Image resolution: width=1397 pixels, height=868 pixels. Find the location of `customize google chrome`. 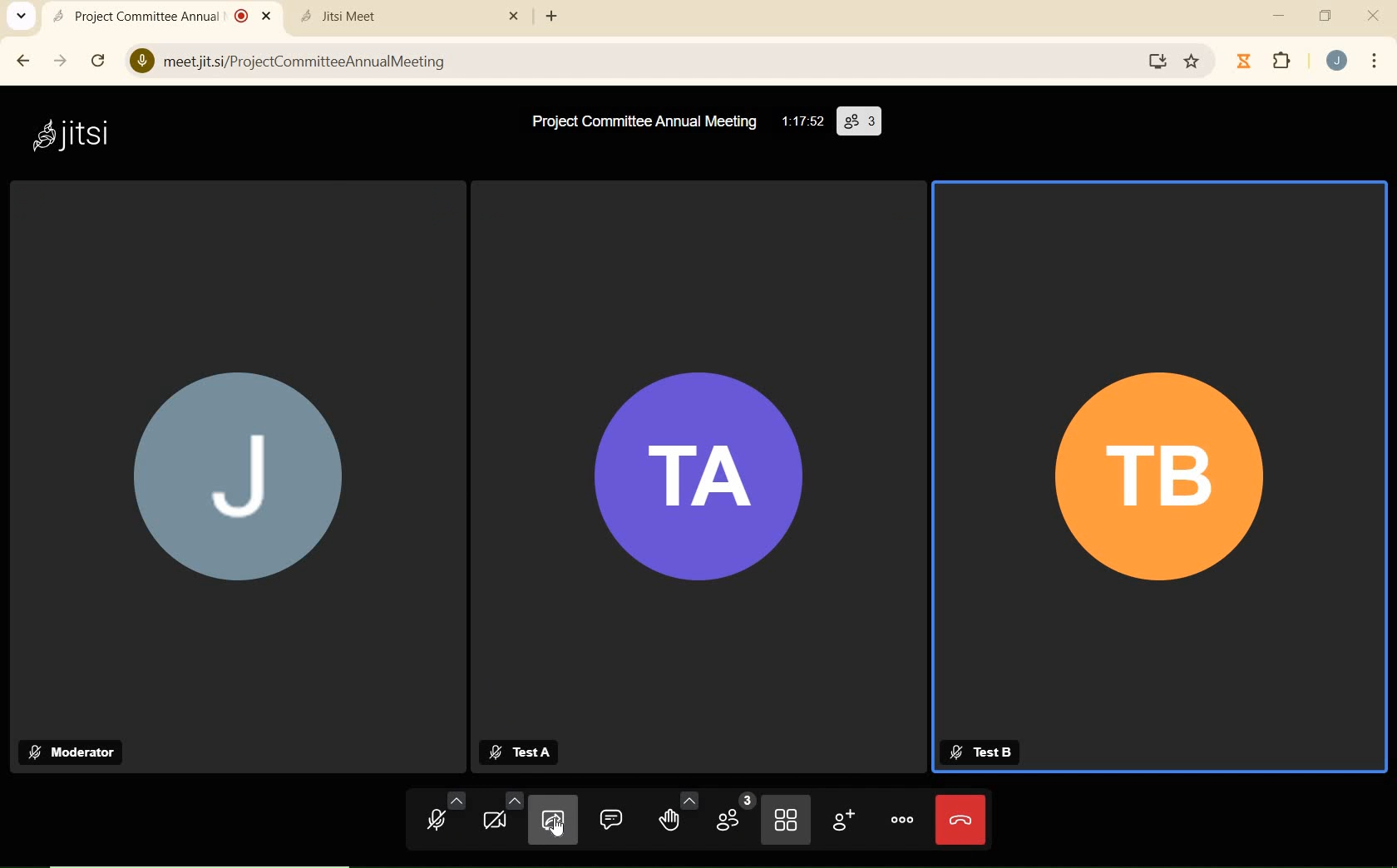

customize google chrome is located at coordinates (1374, 62).